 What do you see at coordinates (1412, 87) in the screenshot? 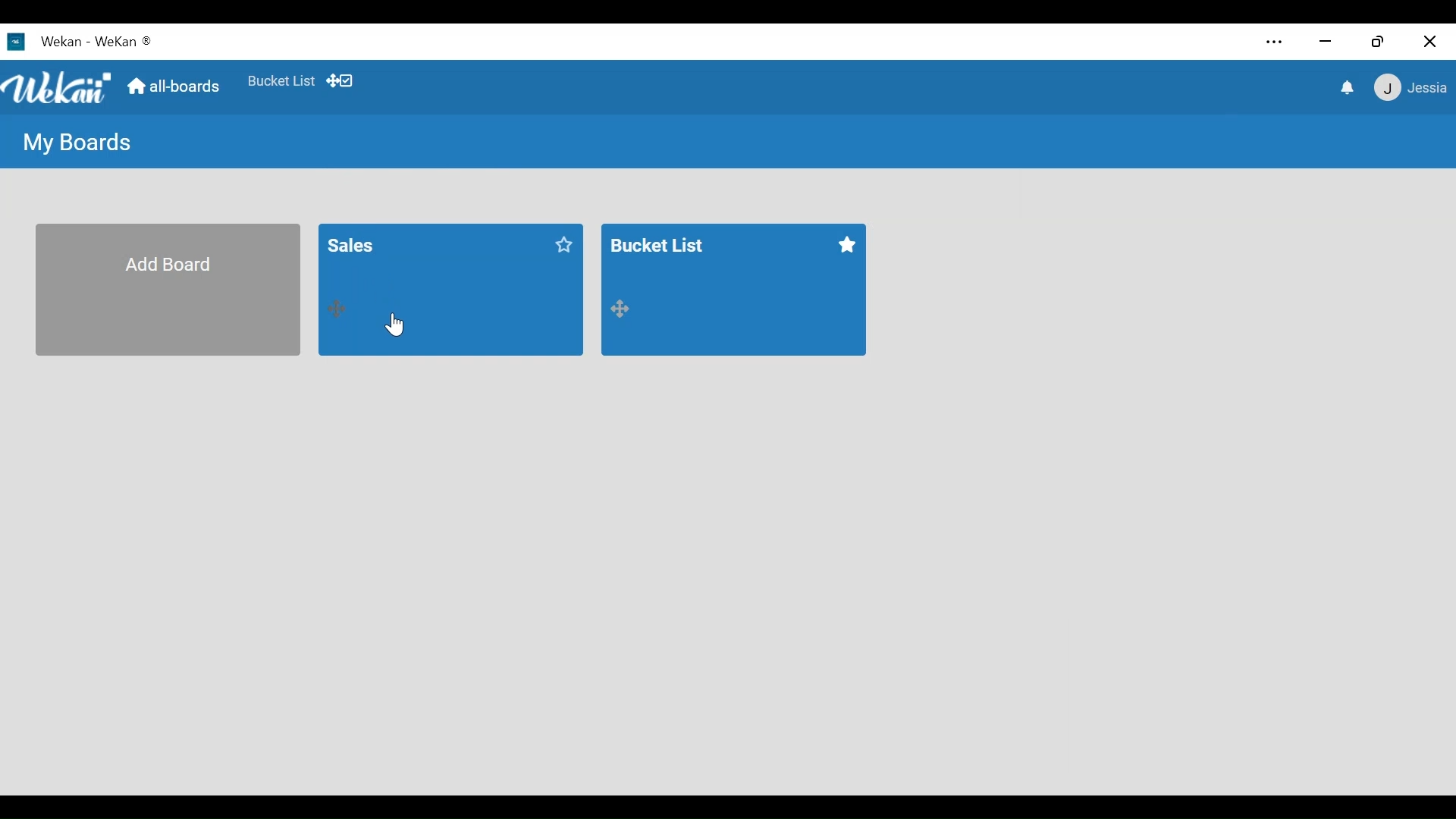
I see `Member` at bounding box center [1412, 87].